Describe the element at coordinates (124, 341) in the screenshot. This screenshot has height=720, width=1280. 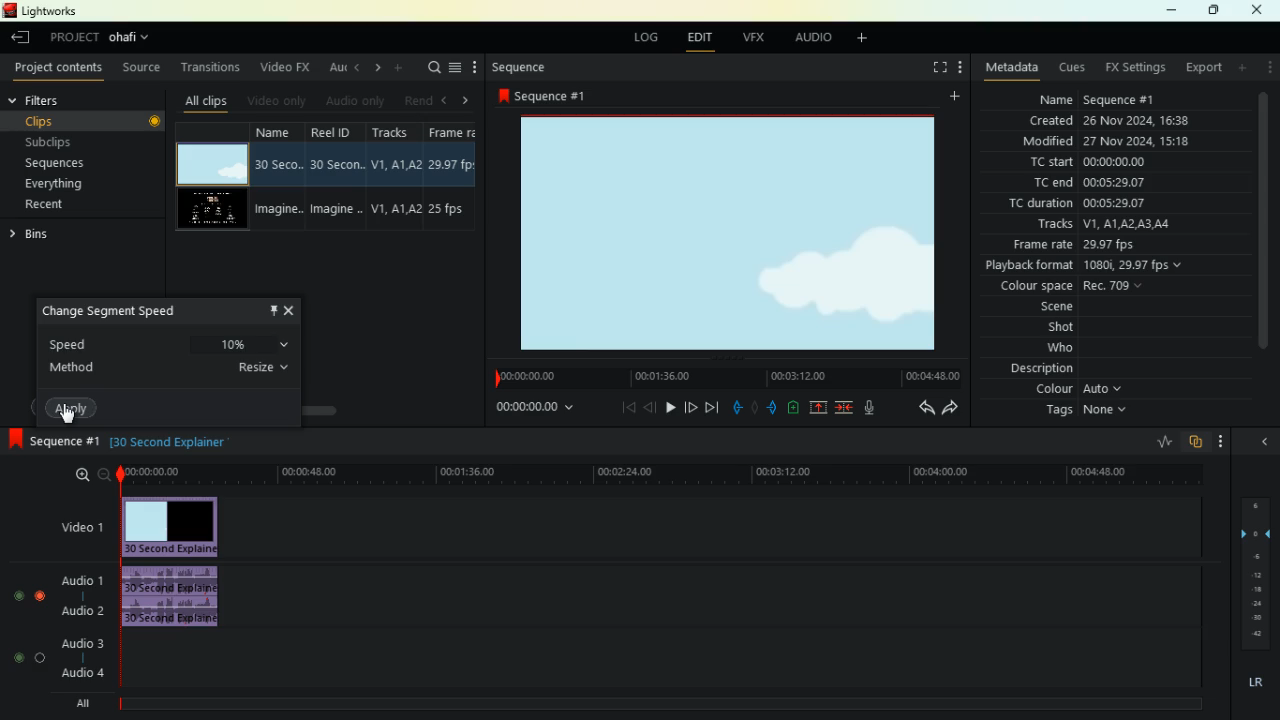
I see `speed` at that location.